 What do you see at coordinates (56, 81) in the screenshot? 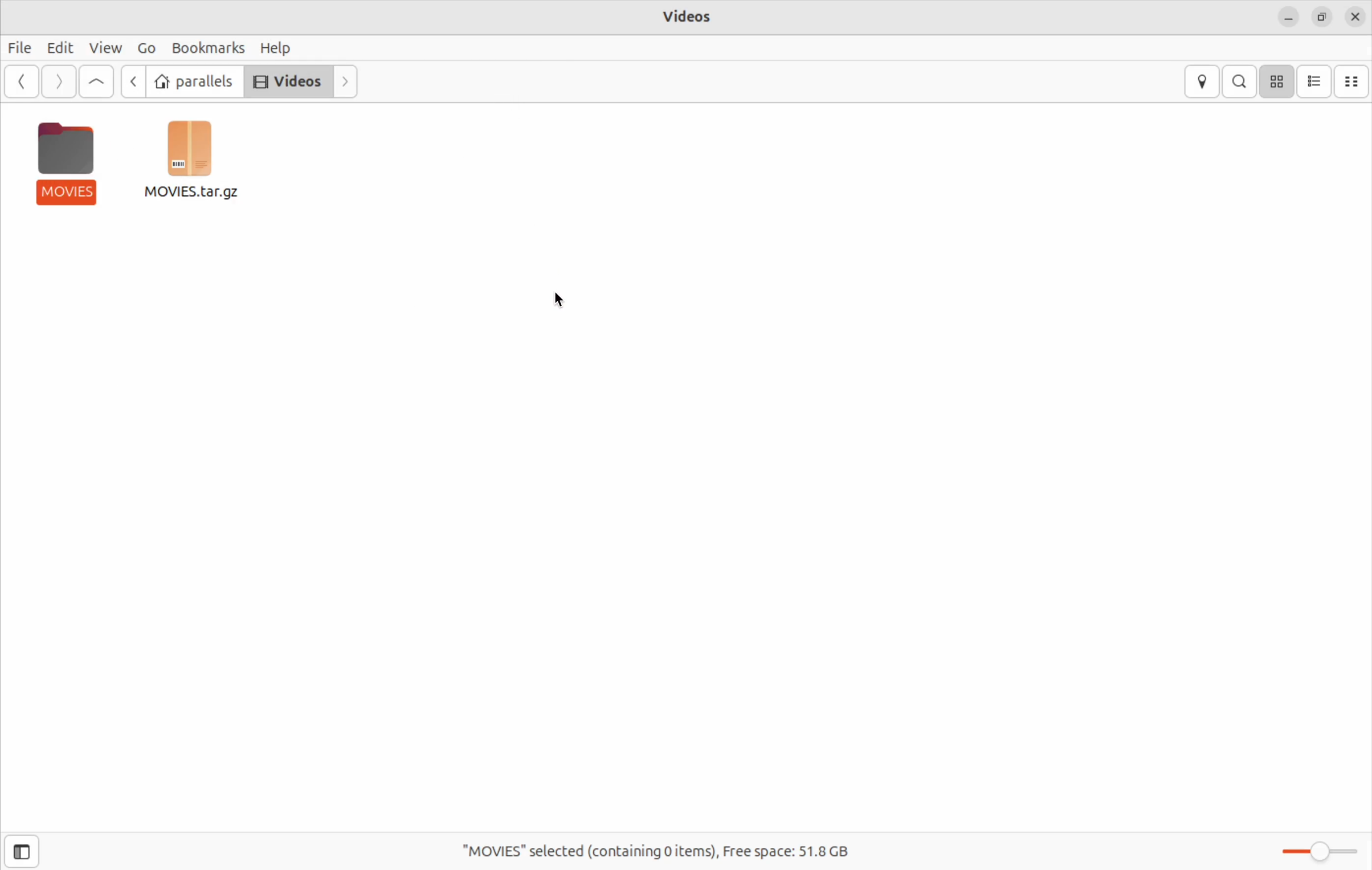
I see `next` at bounding box center [56, 81].